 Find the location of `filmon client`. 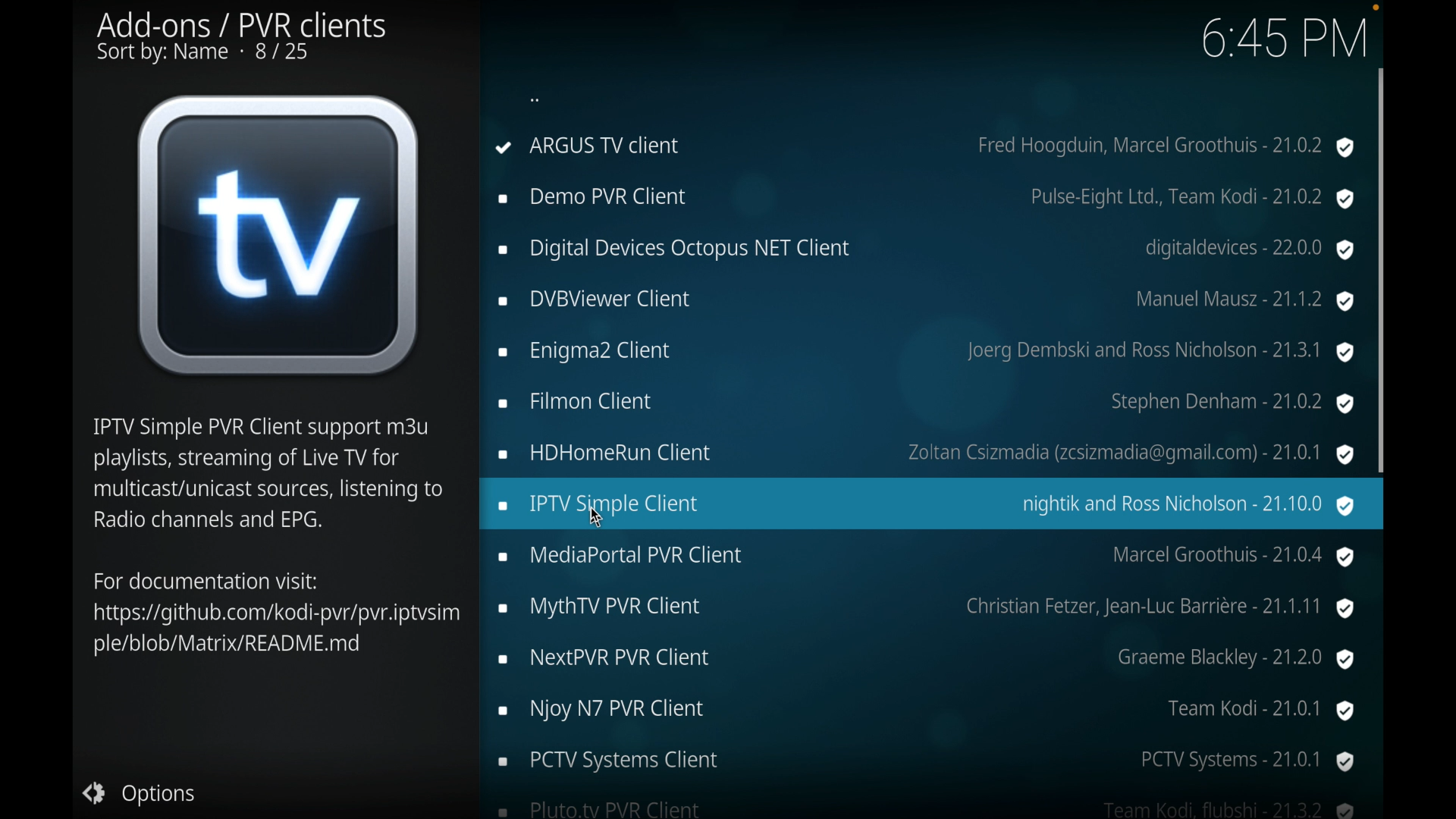

filmon client is located at coordinates (930, 403).